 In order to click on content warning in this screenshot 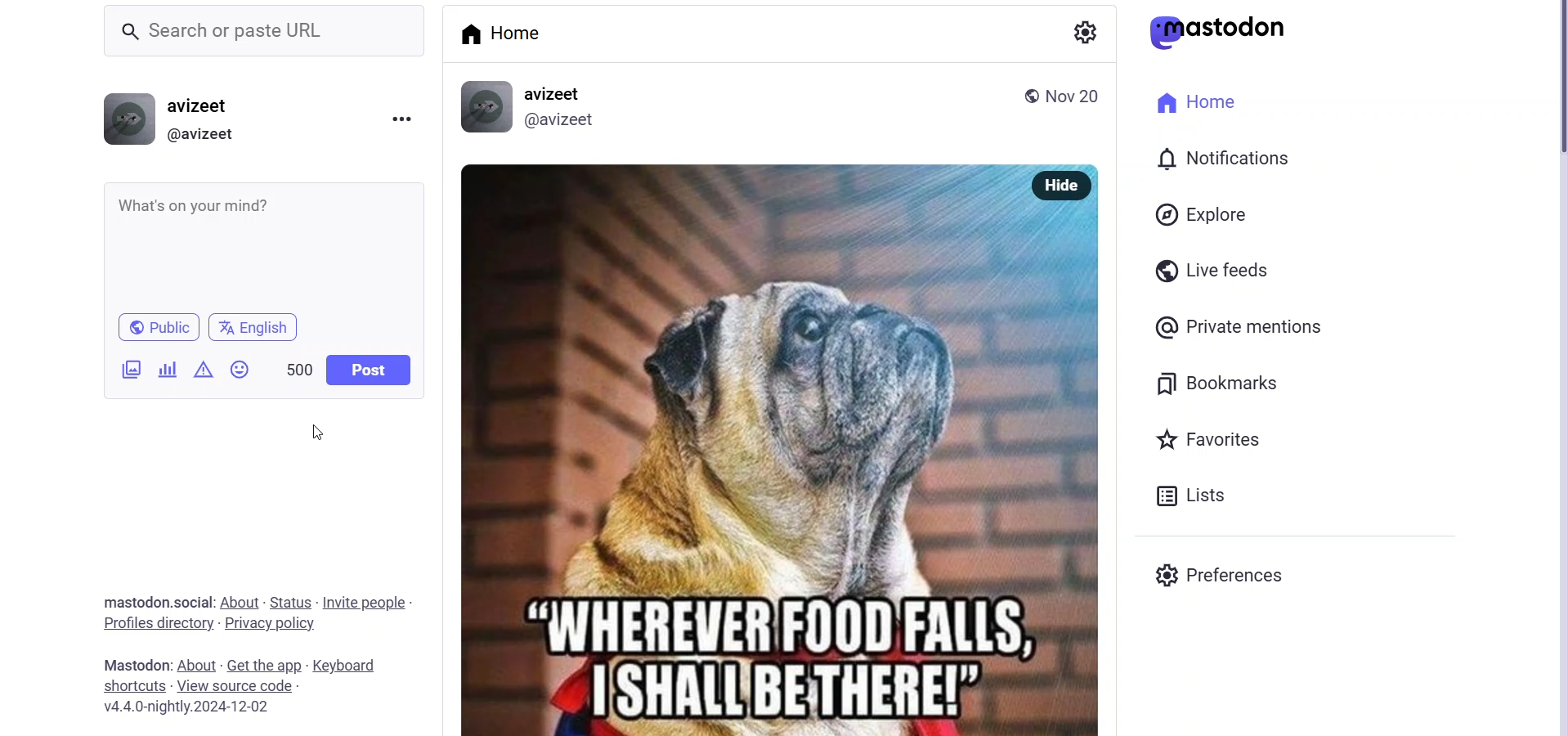, I will do `click(202, 369)`.